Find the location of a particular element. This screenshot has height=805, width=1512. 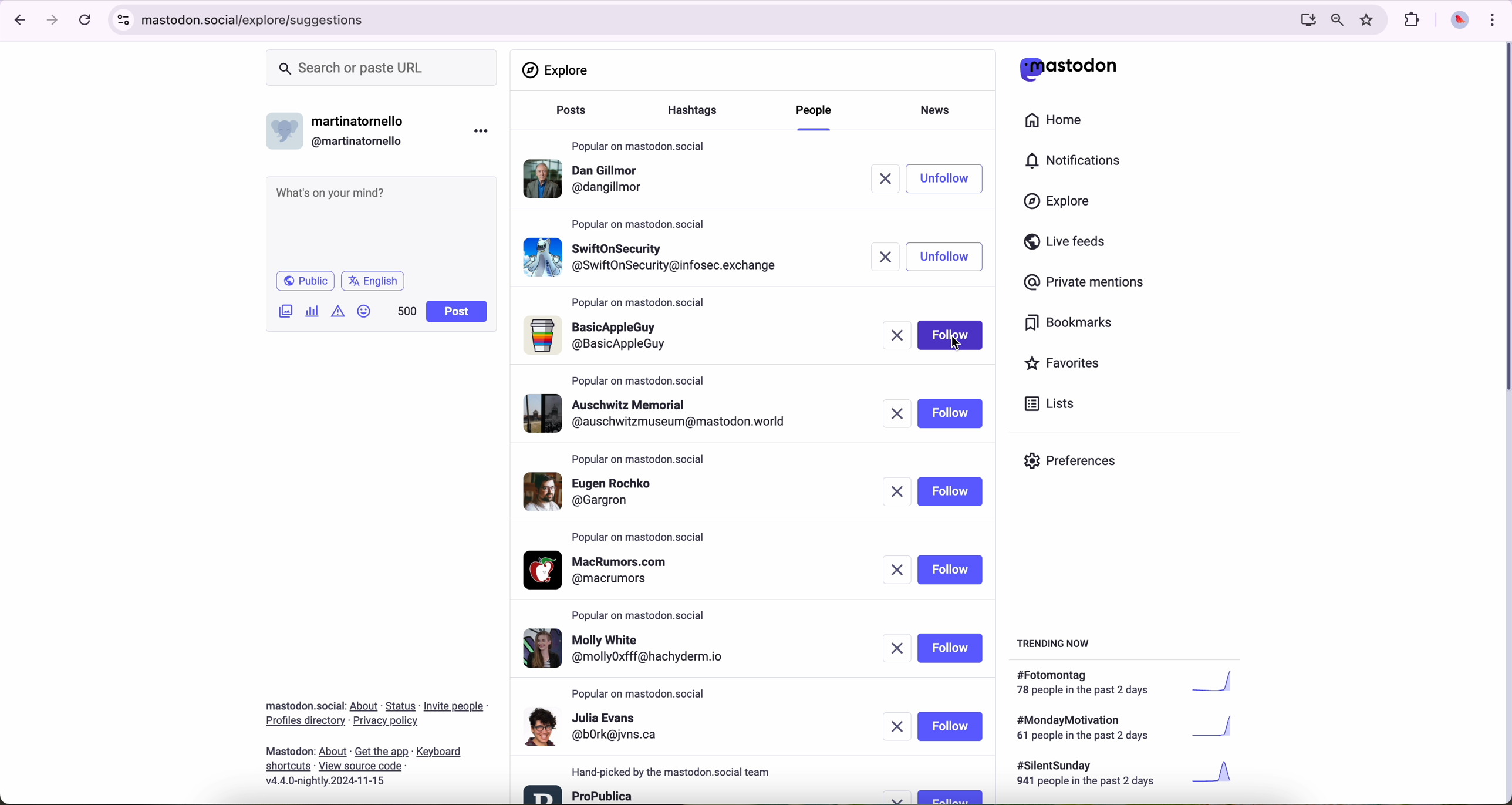

follow button is located at coordinates (951, 726).